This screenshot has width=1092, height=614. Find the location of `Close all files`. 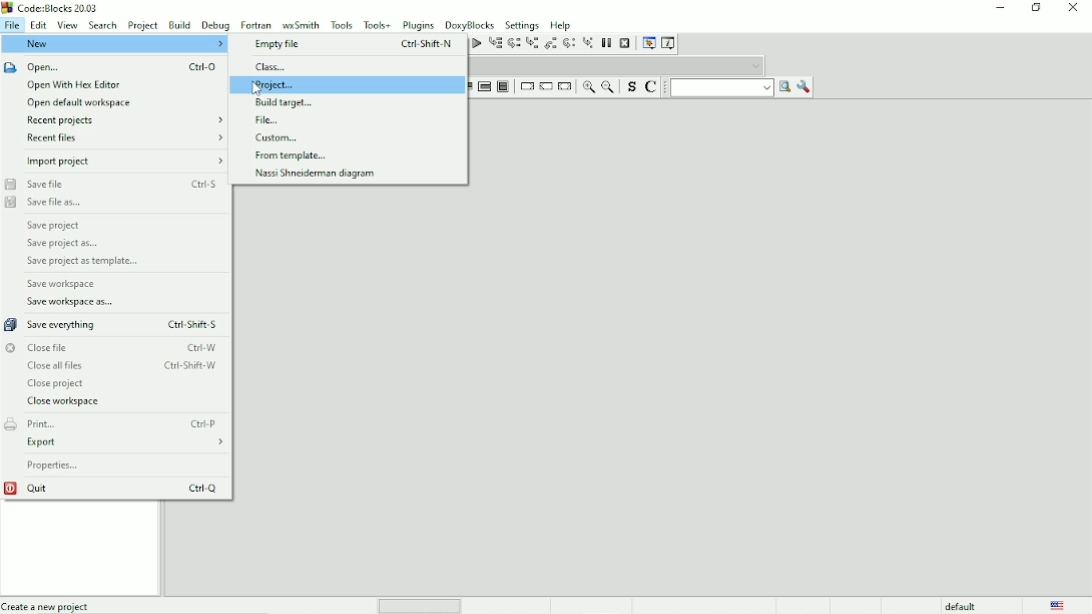

Close all files is located at coordinates (121, 366).